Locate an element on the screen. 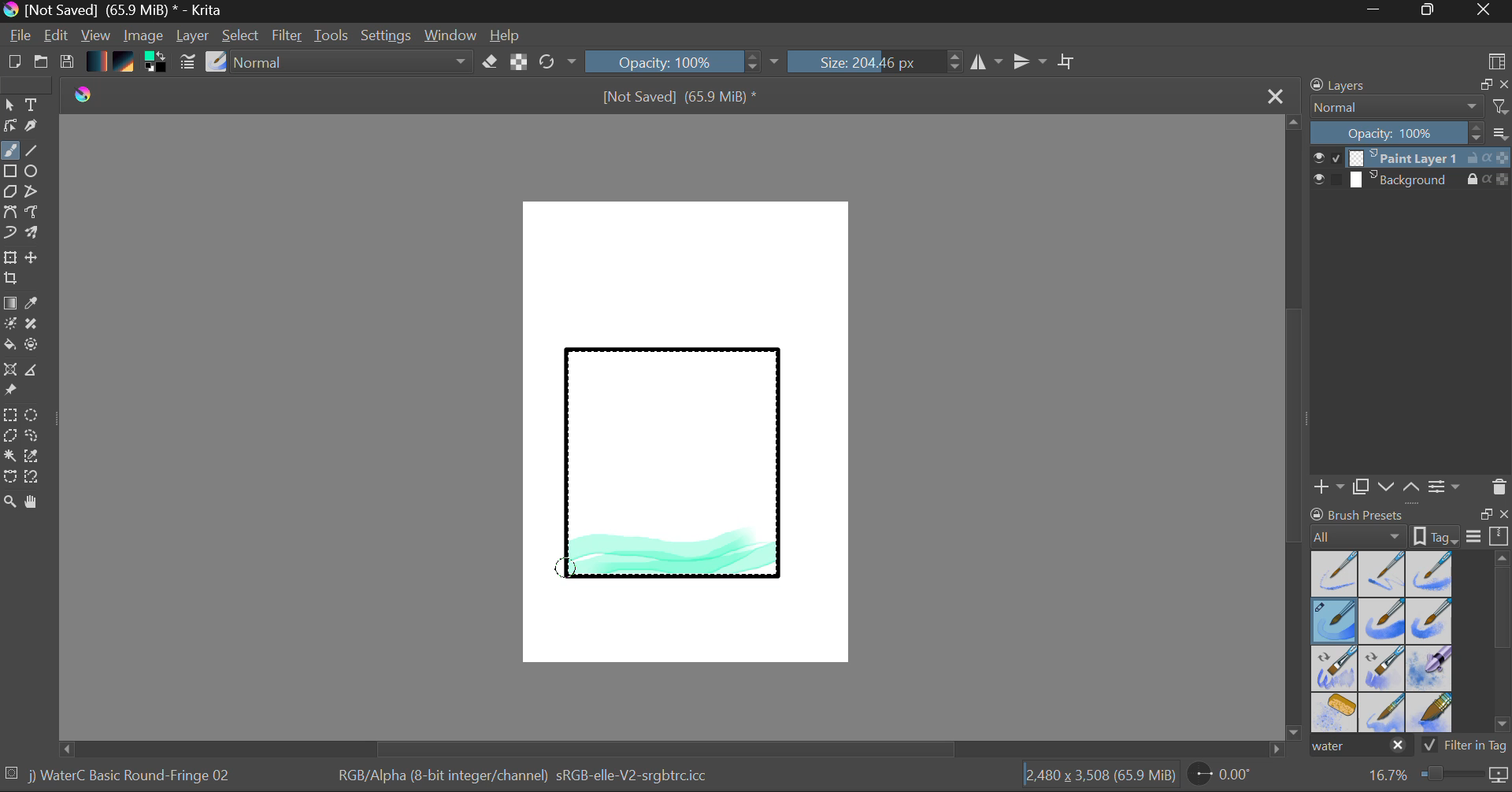  Water C - Special Blobs is located at coordinates (1430, 670).